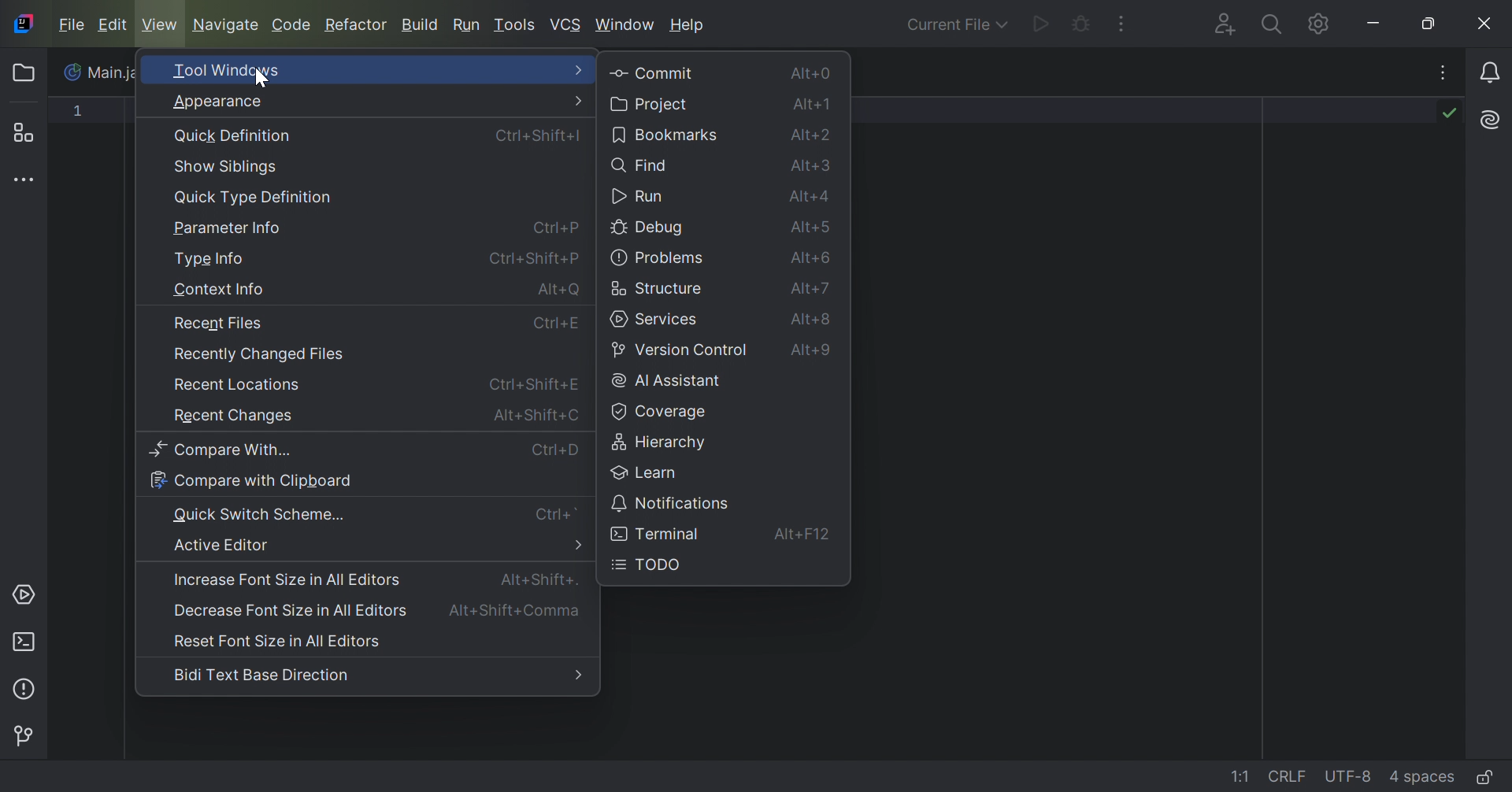 Image resolution: width=1512 pixels, height=792 pixels. I want to click on Cursor, so click(261, 80).